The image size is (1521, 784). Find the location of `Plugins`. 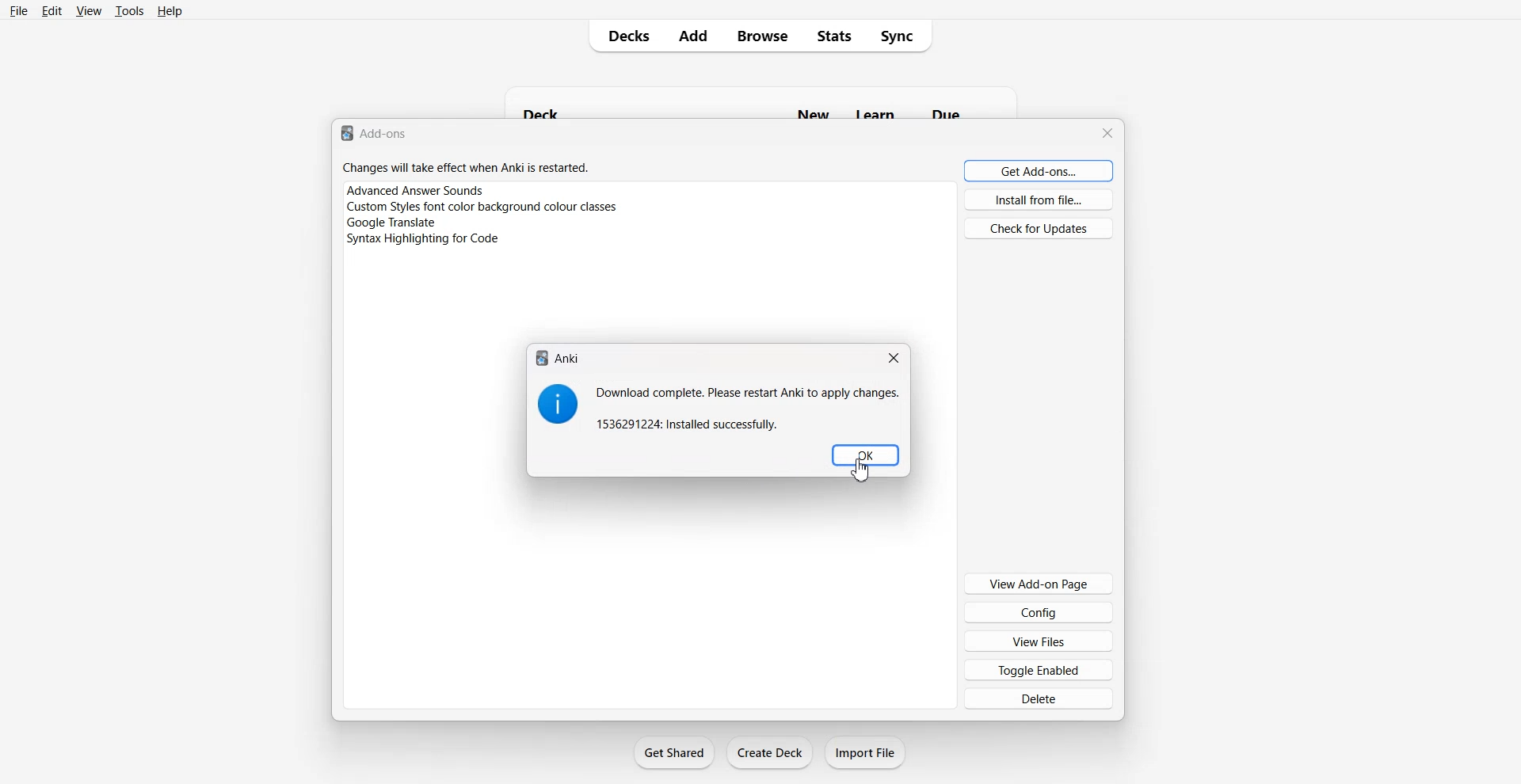

Plugins is located at coordinates (649, 189).